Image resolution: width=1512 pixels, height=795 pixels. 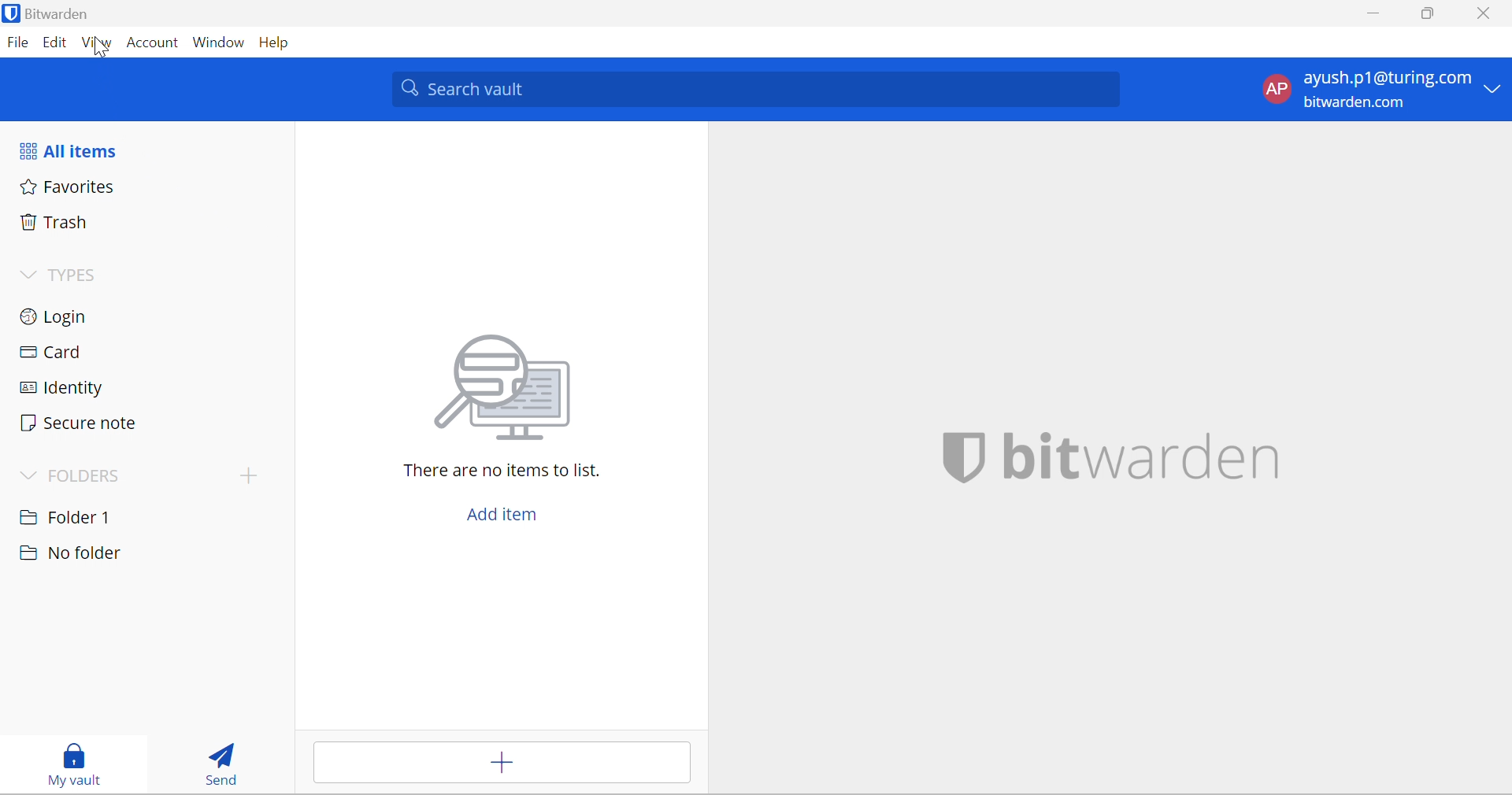 I want to click on minimize, so click(x=1376, y=14).